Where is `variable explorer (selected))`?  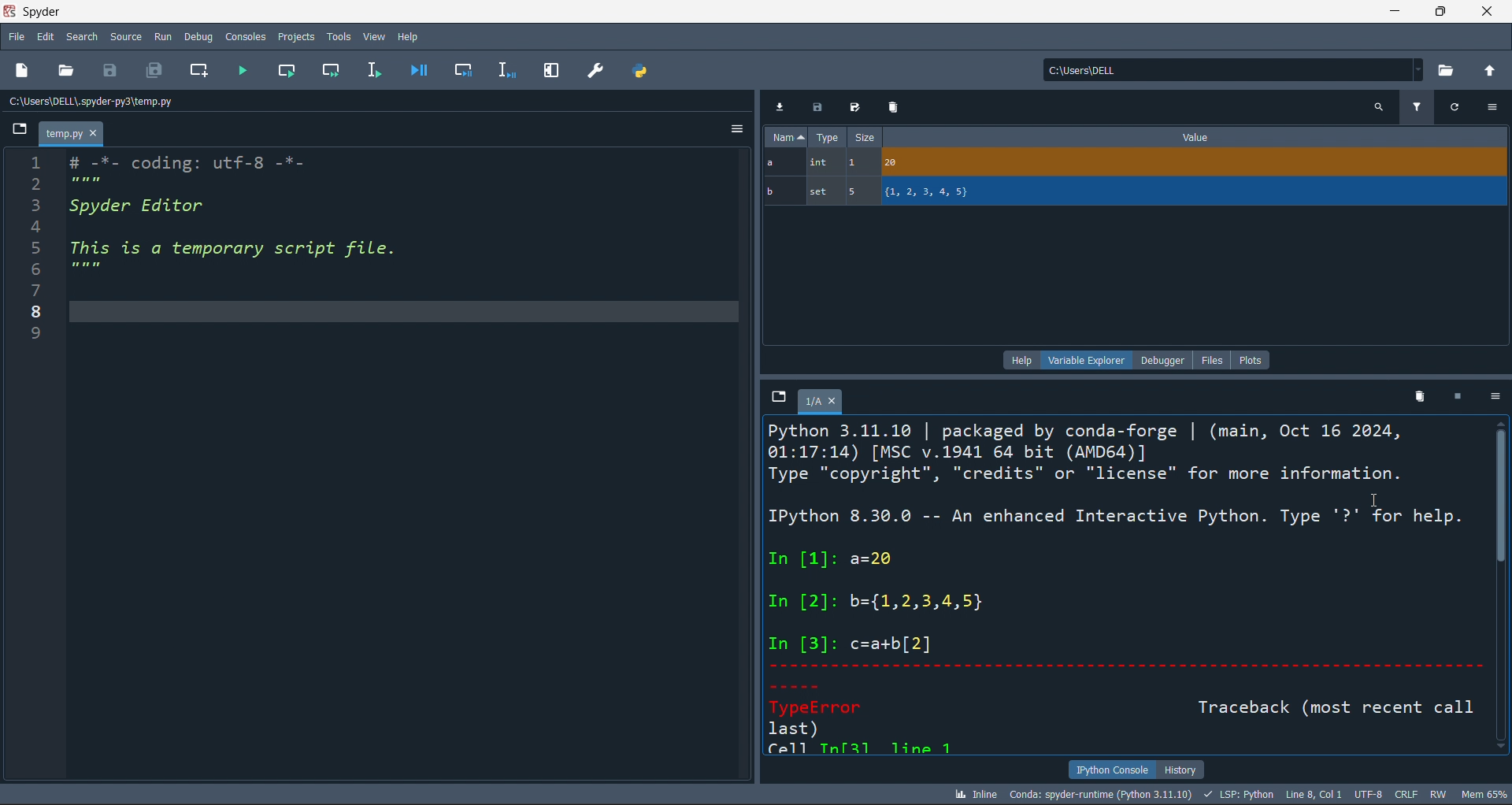
variable explorer (selected)) is located at coordinates (1086, 359).